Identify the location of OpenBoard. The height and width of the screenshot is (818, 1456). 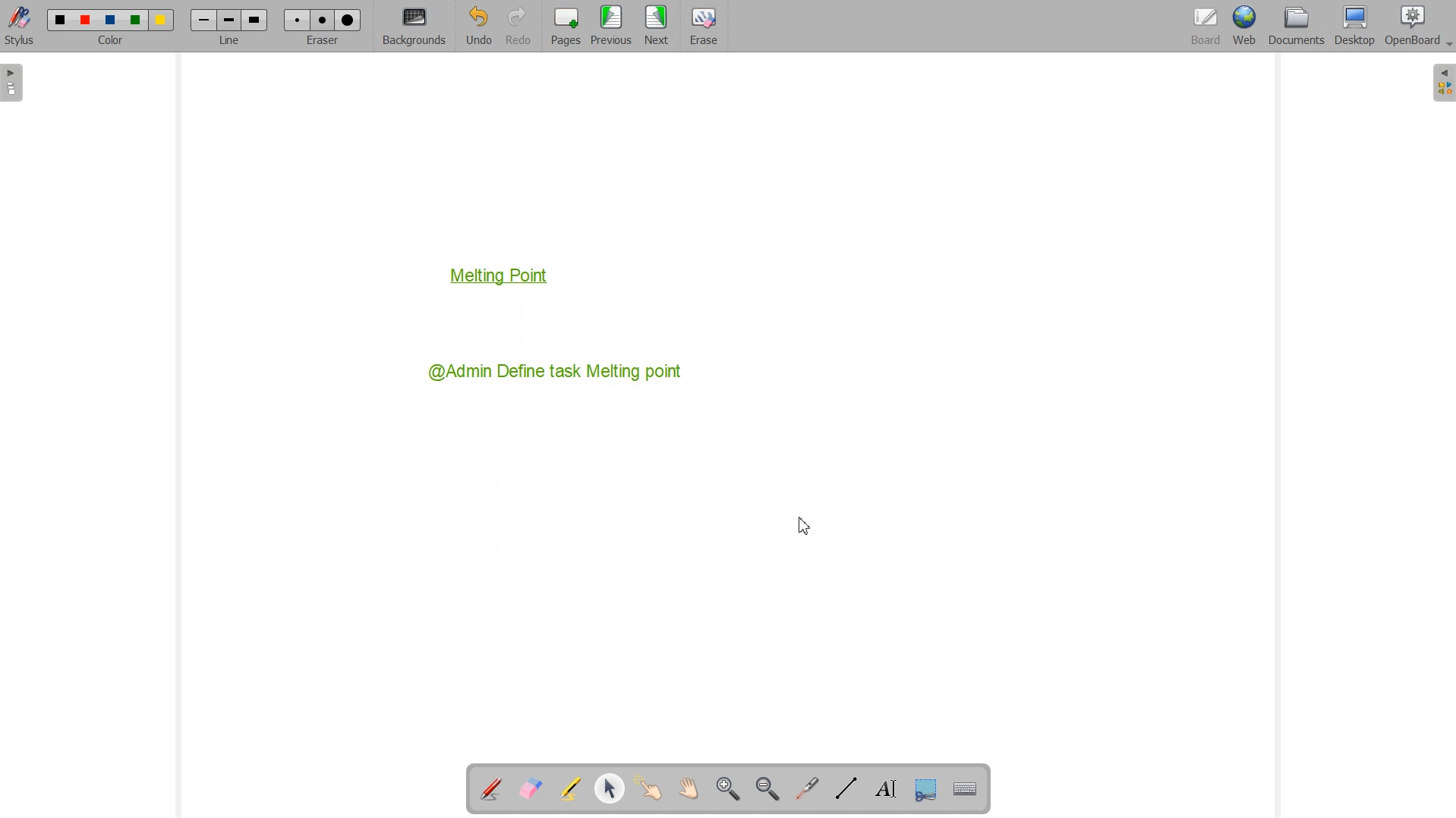
(1411, 27).